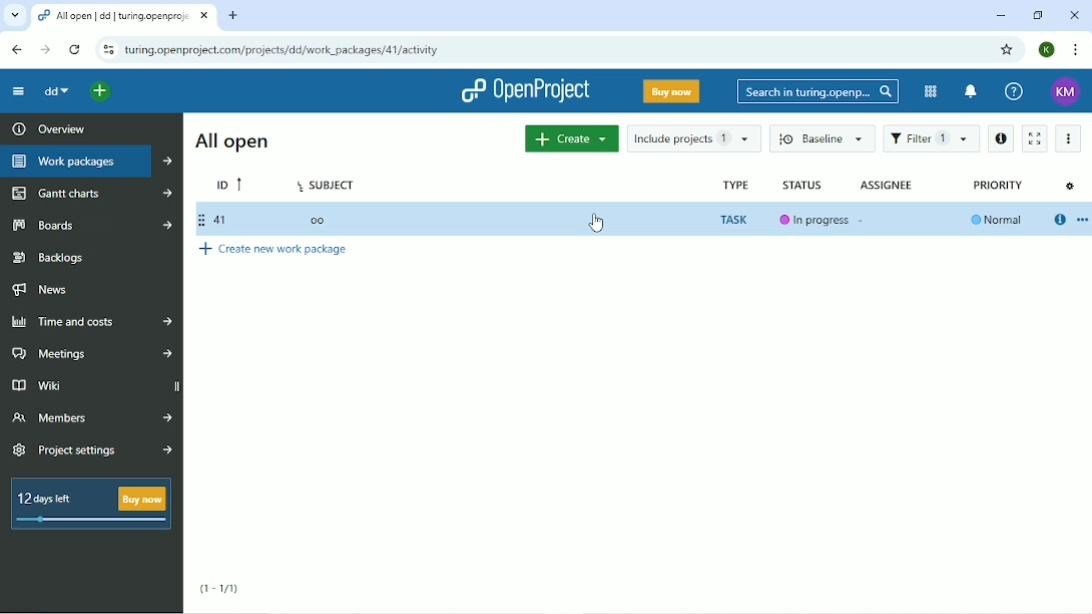 The width and height of the screenshot is (1092, 614). Describe the element at coordinates (1047, 49) in the screenshot. I see `K` at that location.